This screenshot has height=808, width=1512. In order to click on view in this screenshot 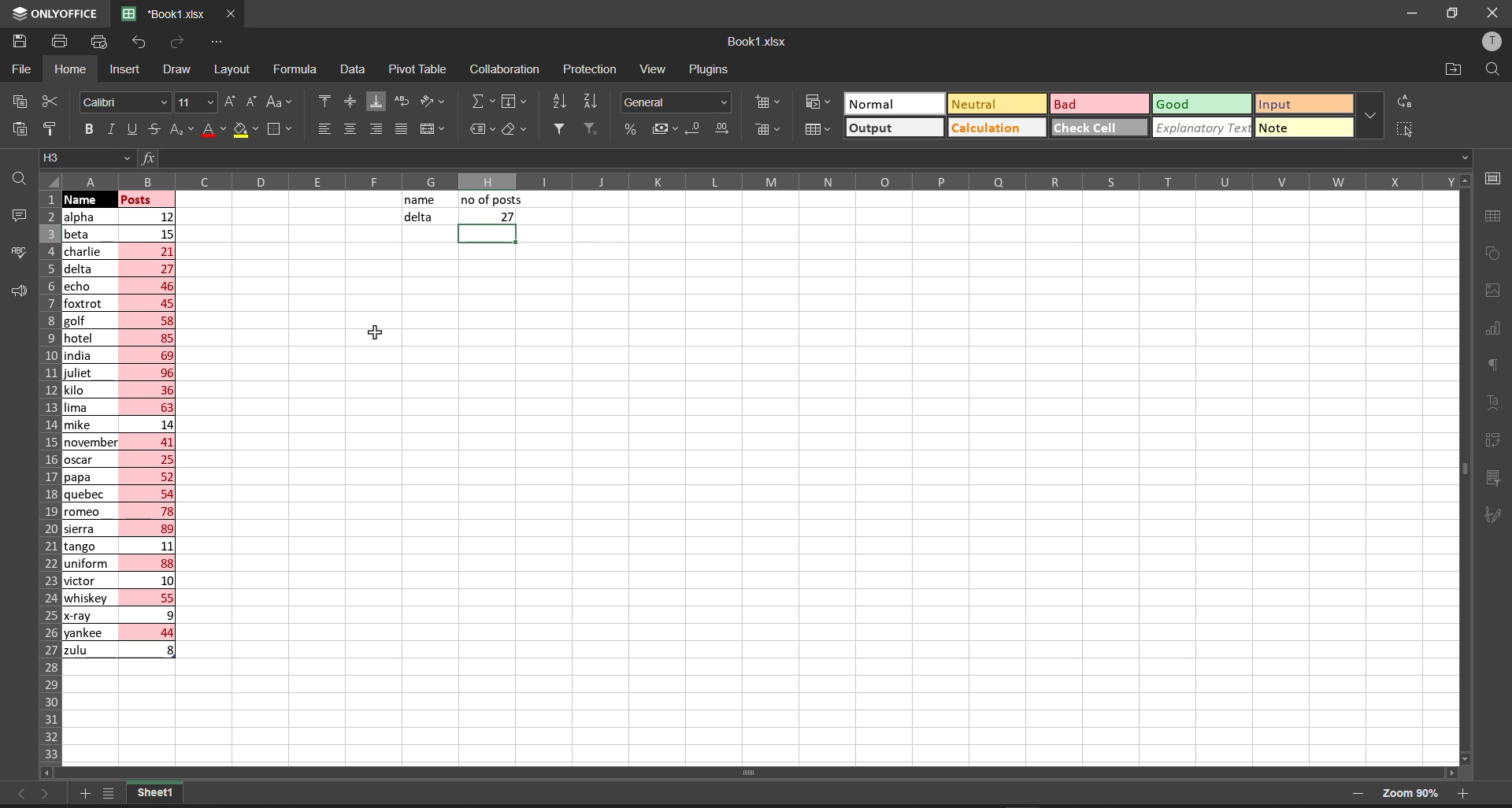, I will do `click(653, 70)`.